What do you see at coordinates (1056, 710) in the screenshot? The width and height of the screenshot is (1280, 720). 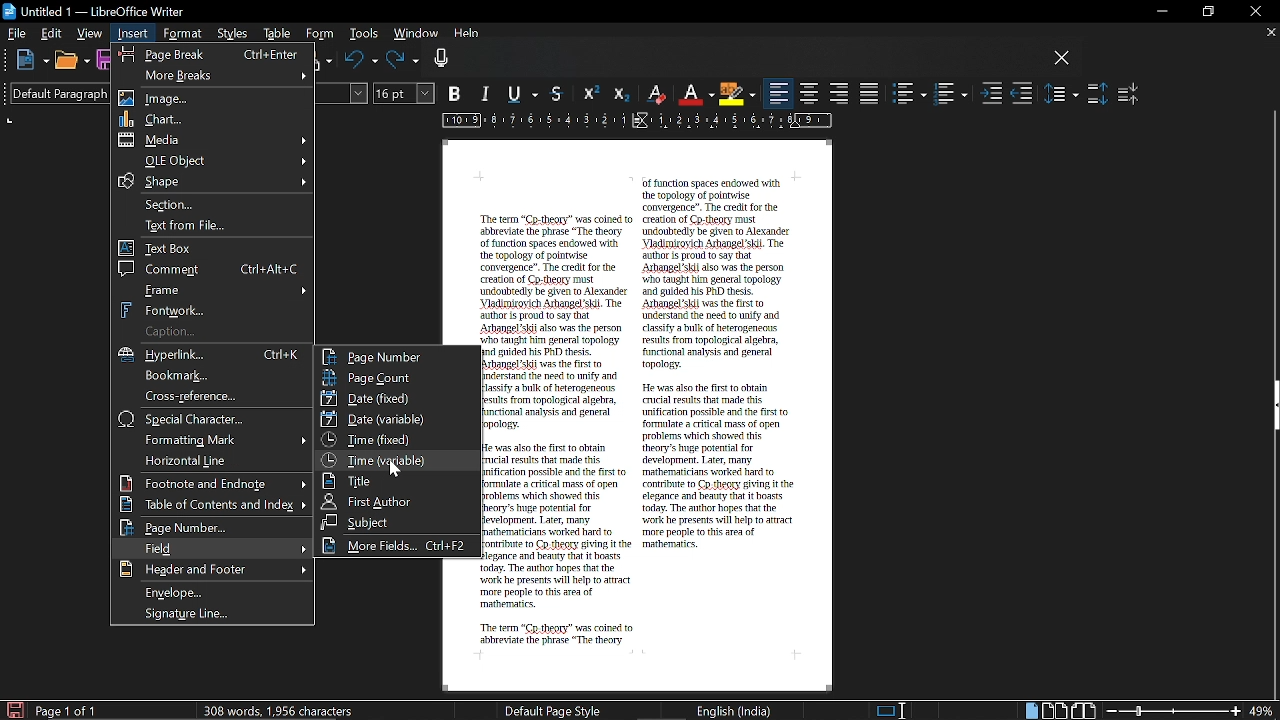 I see `Double page view` at bounding box center [1056, 710].